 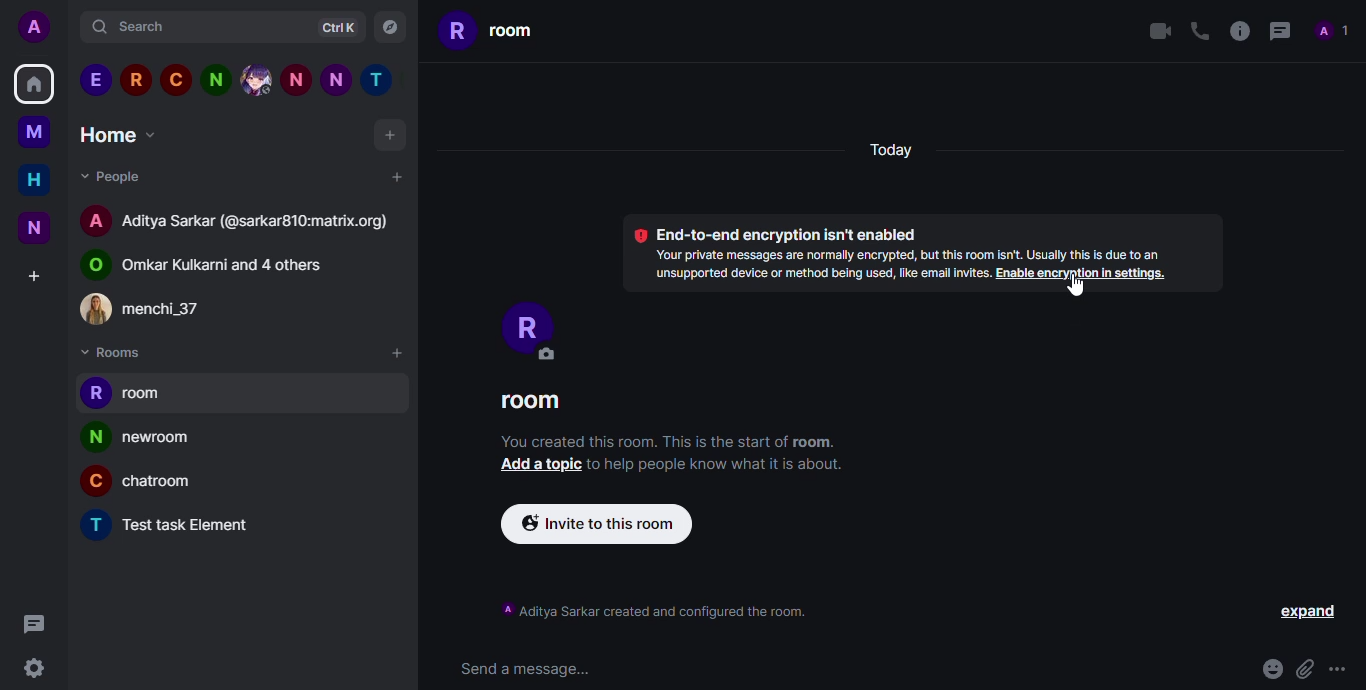 What do you see at coordinates (536, 464) in the screenshot?
I see `add topic` at bounding box center [536, 464].